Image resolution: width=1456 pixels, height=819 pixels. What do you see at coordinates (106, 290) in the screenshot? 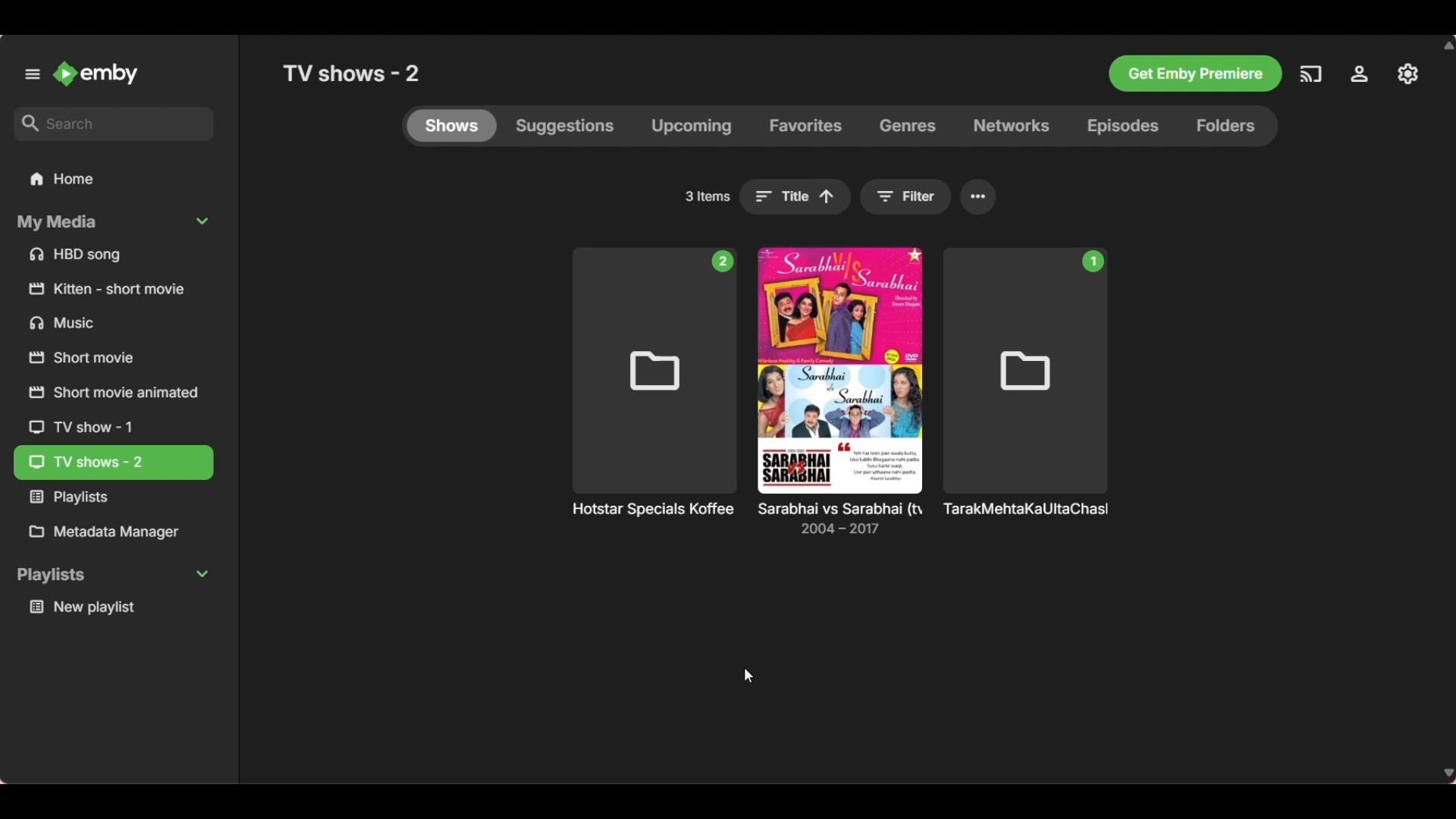
I see `` at bounding box center [106, 290].